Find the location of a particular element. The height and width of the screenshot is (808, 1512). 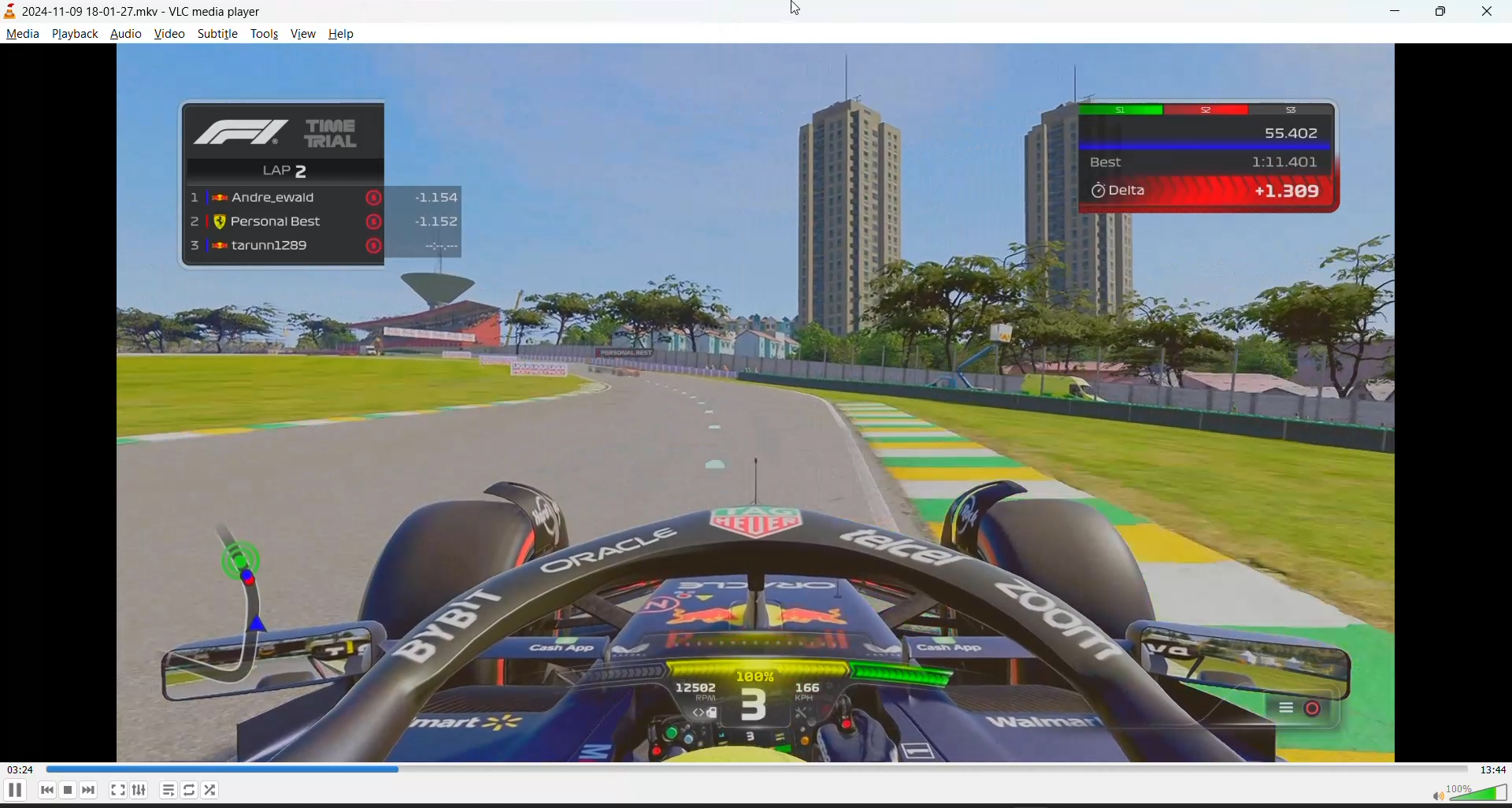

stop is located at coordinates (69, 790).